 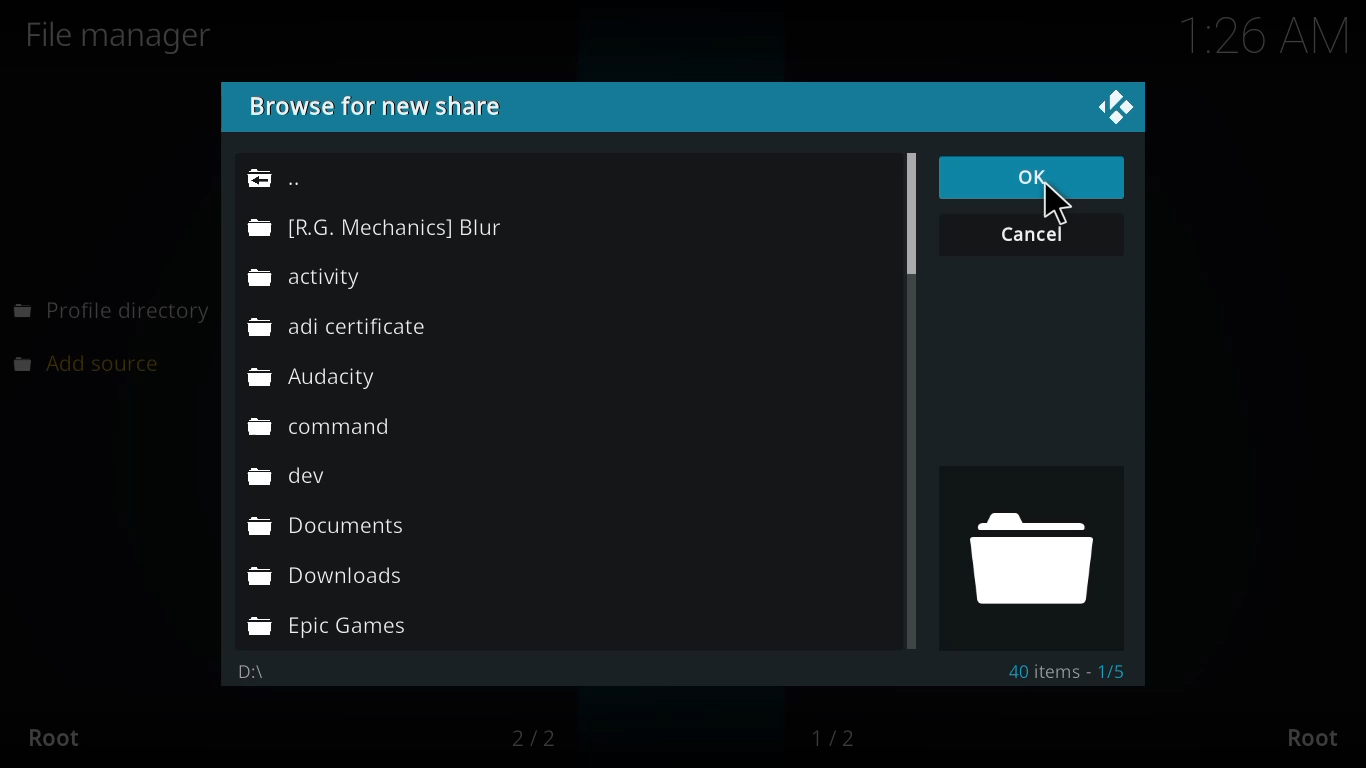 What do you see at coordinates (1249, 38) in the screenshot?
I see `time` at bounding box center [1249, 38].